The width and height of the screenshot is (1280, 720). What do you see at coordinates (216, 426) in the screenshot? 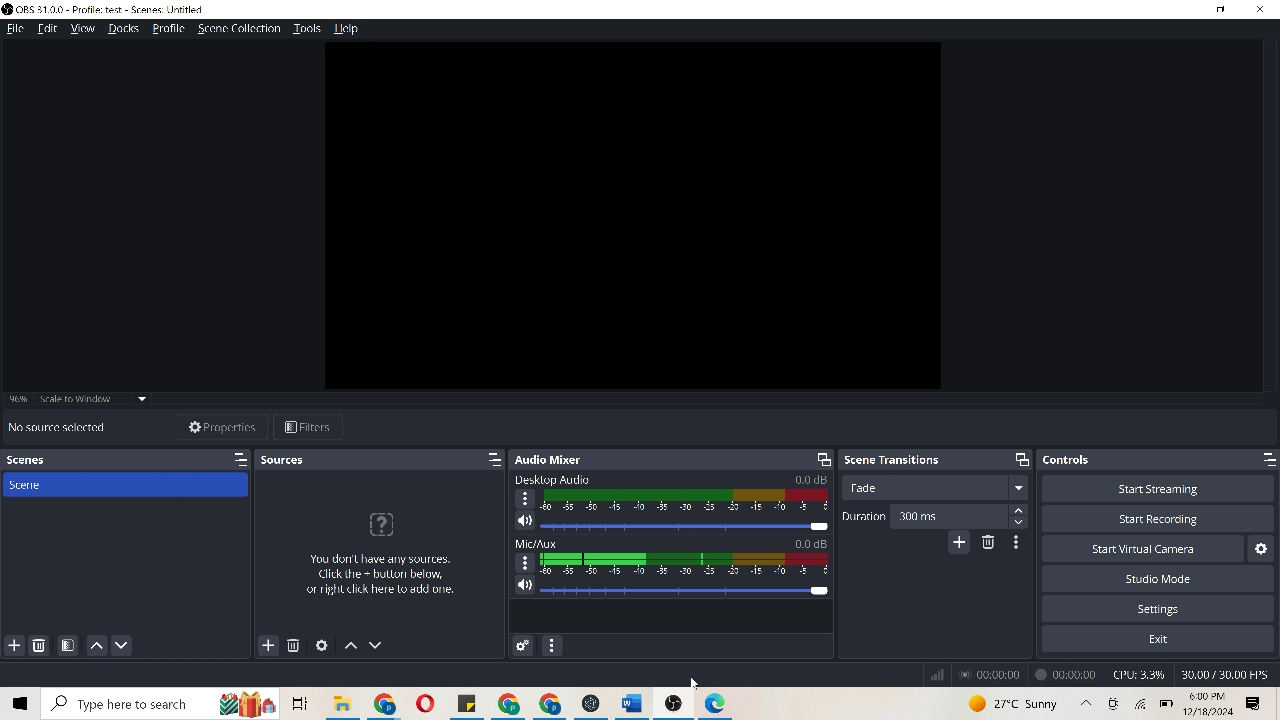
I see `properties` at bounding box center [216, 426].